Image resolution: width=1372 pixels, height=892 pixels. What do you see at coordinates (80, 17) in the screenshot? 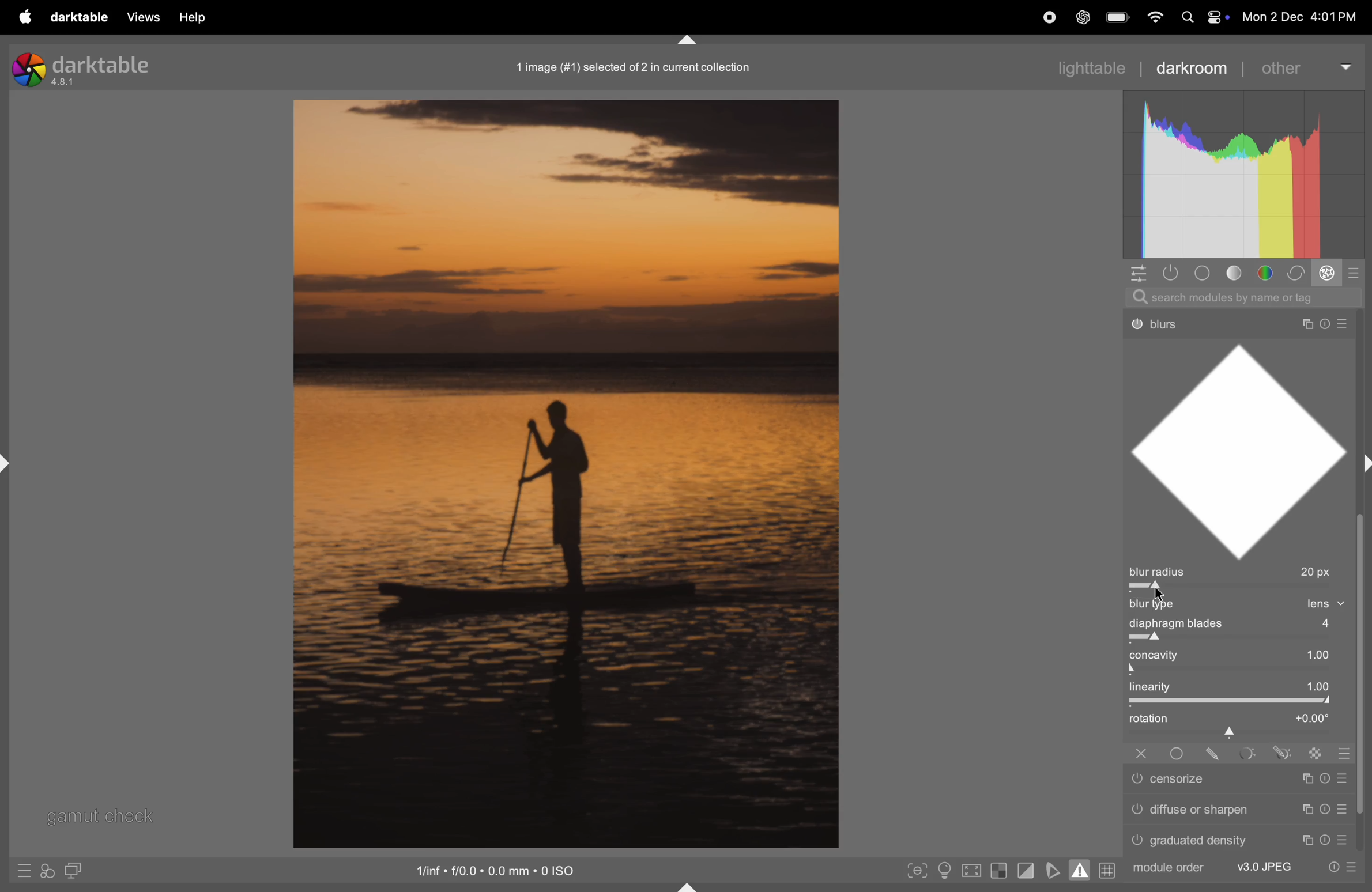
I see `darktable` at bounding box center [80, 17].